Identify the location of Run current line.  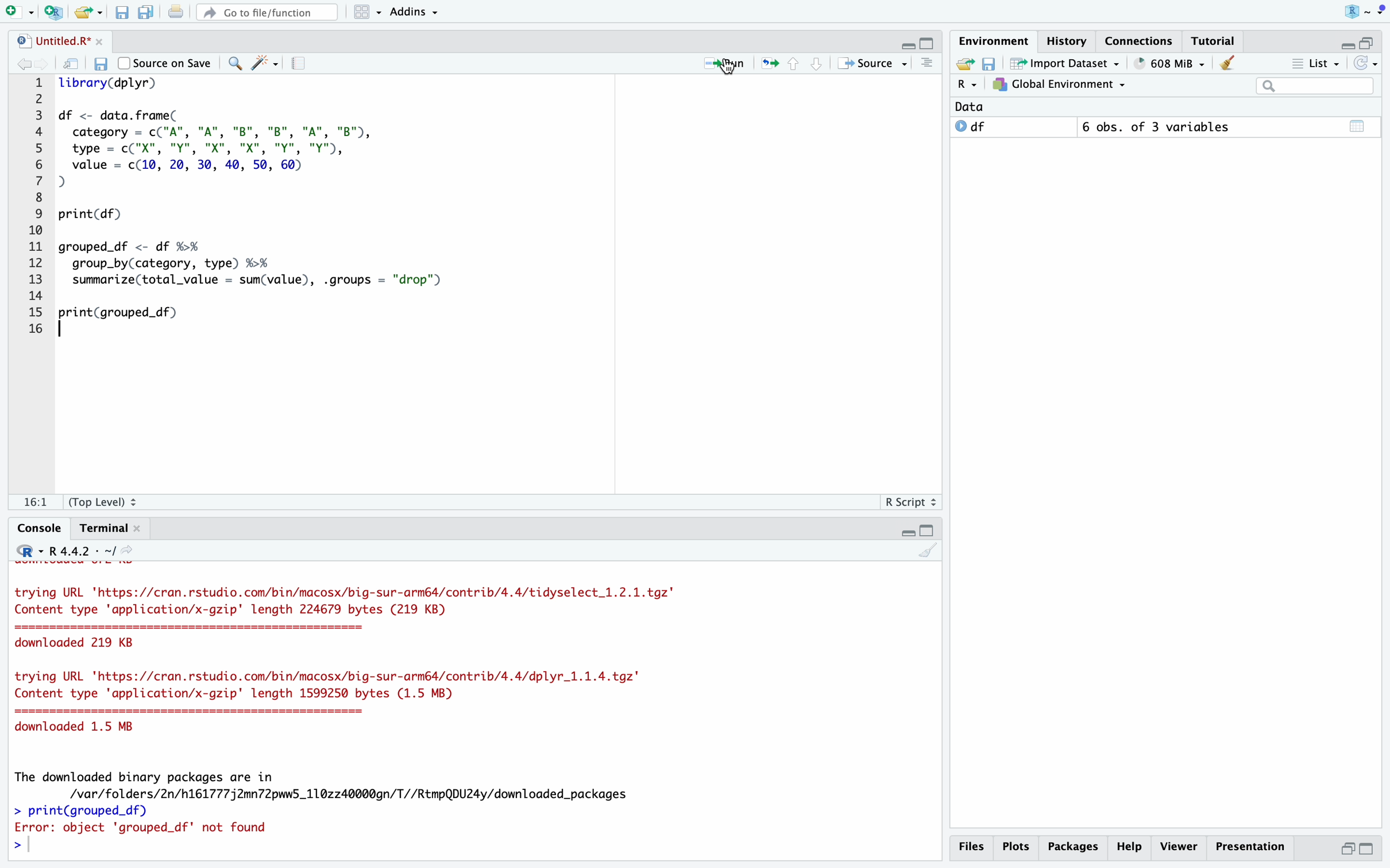
(722, 64).